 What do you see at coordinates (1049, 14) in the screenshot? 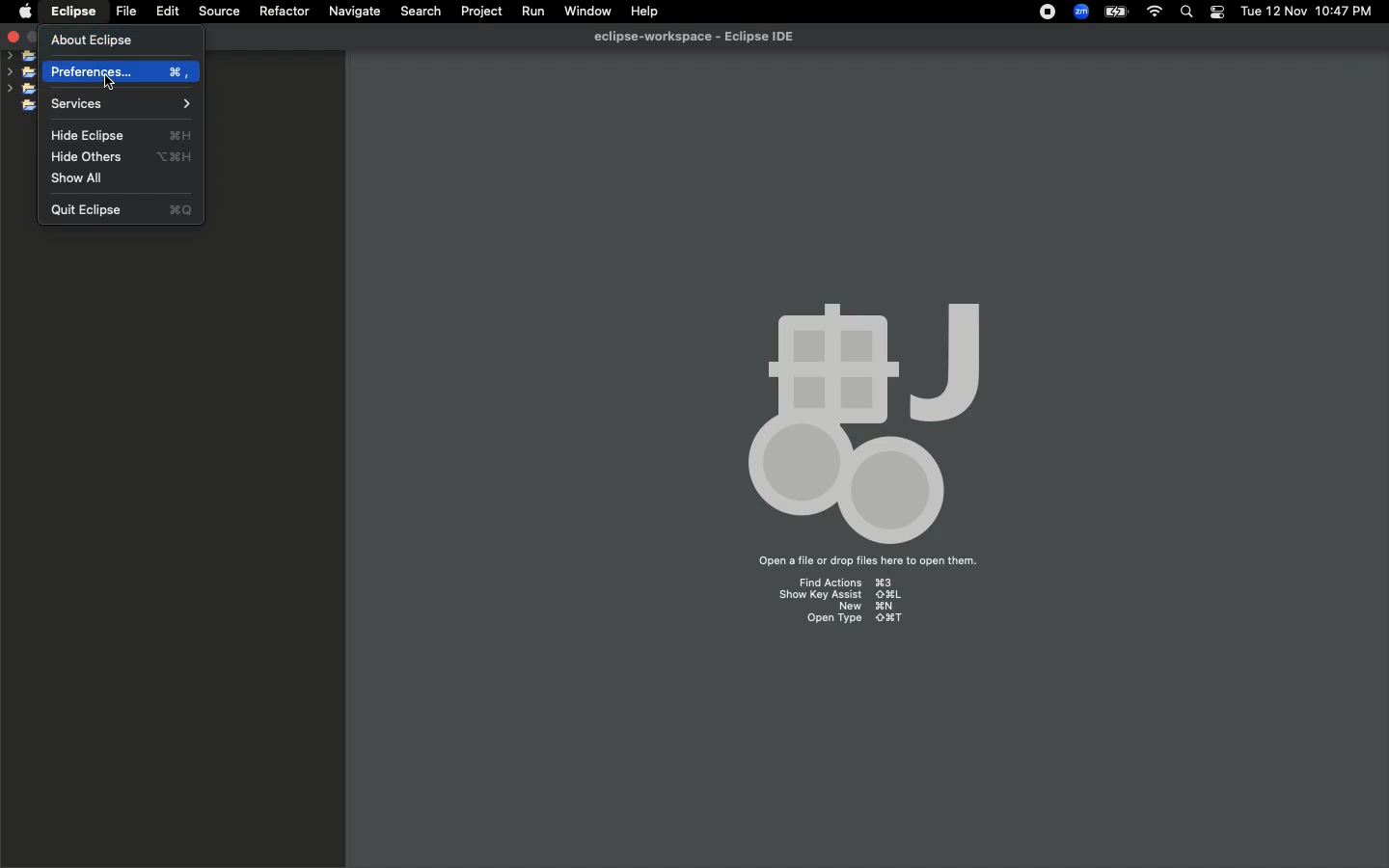
I see `Recording` at bounding box center [1049, 14].